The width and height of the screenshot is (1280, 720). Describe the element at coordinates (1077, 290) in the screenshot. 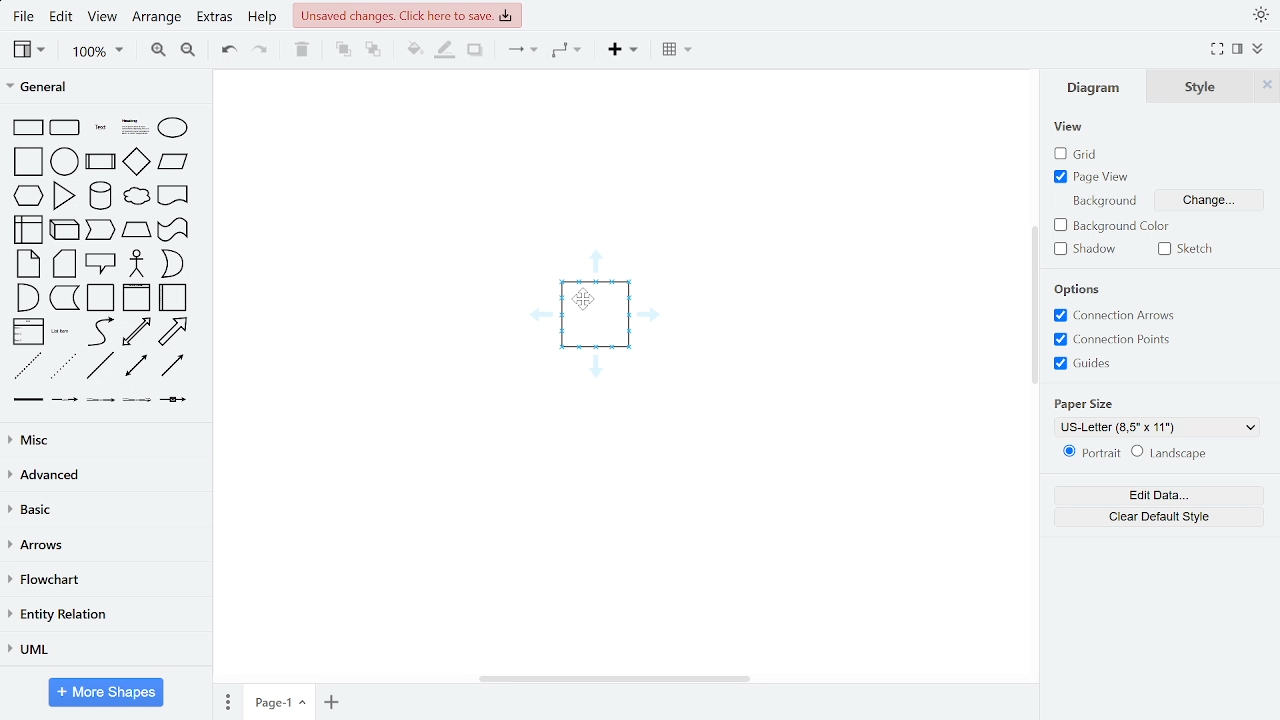

I see `Options` at that location.